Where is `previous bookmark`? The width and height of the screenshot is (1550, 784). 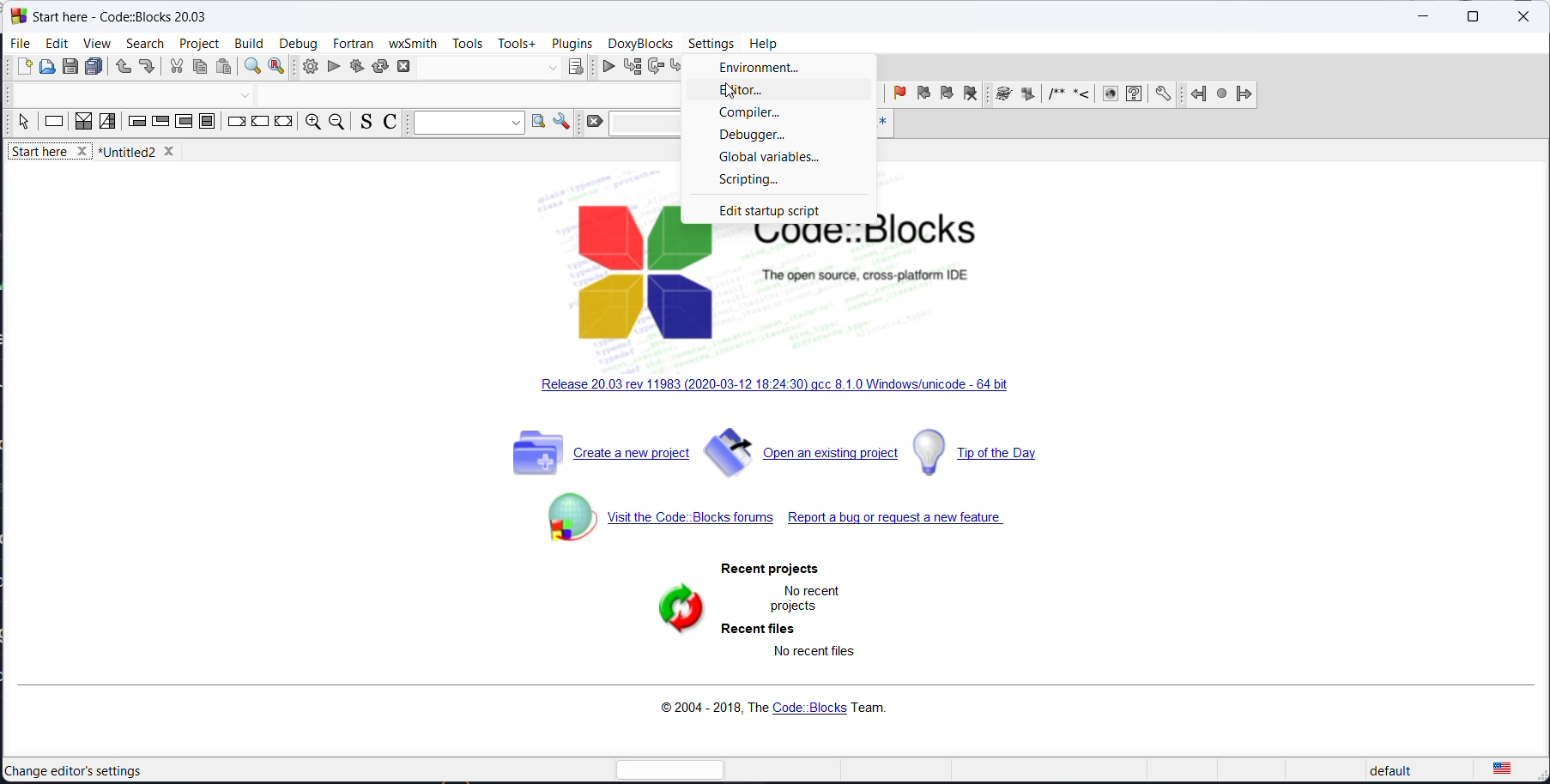
previous bookmark is located at coordinates (921, 96).